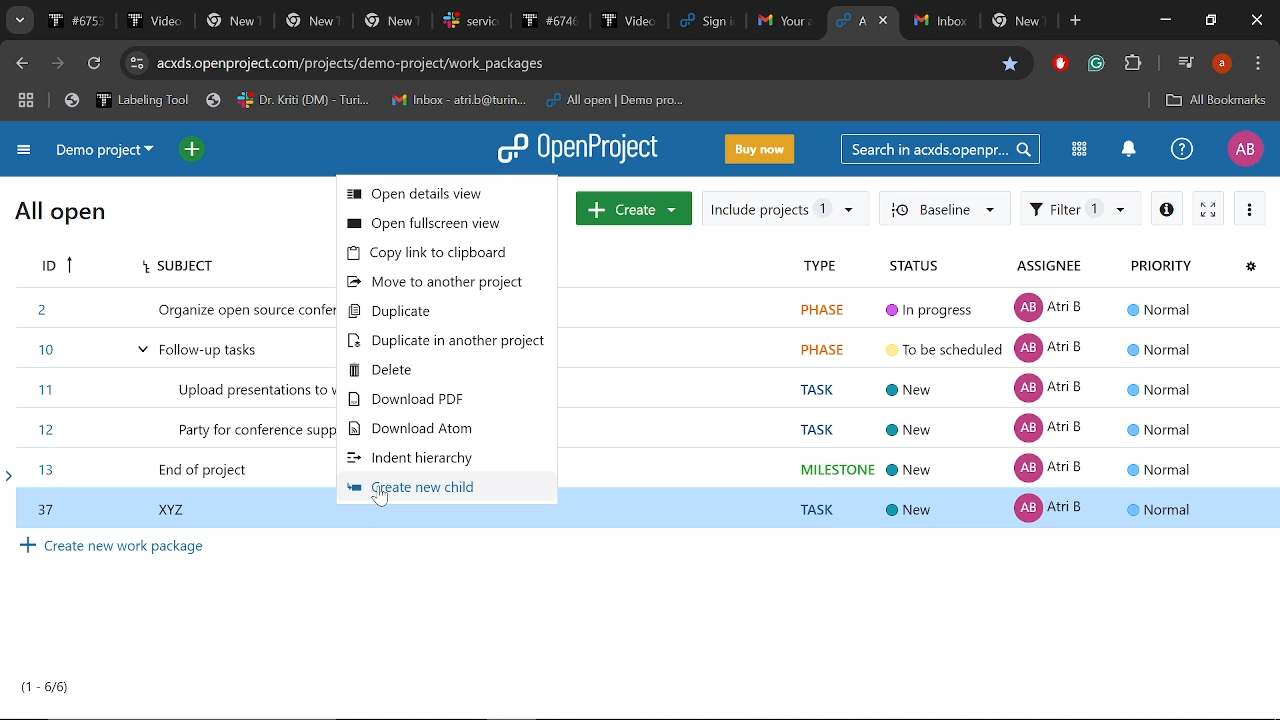  Describe the element at coordinates (921, 267) in the screenshot. I see `Status` at that location.